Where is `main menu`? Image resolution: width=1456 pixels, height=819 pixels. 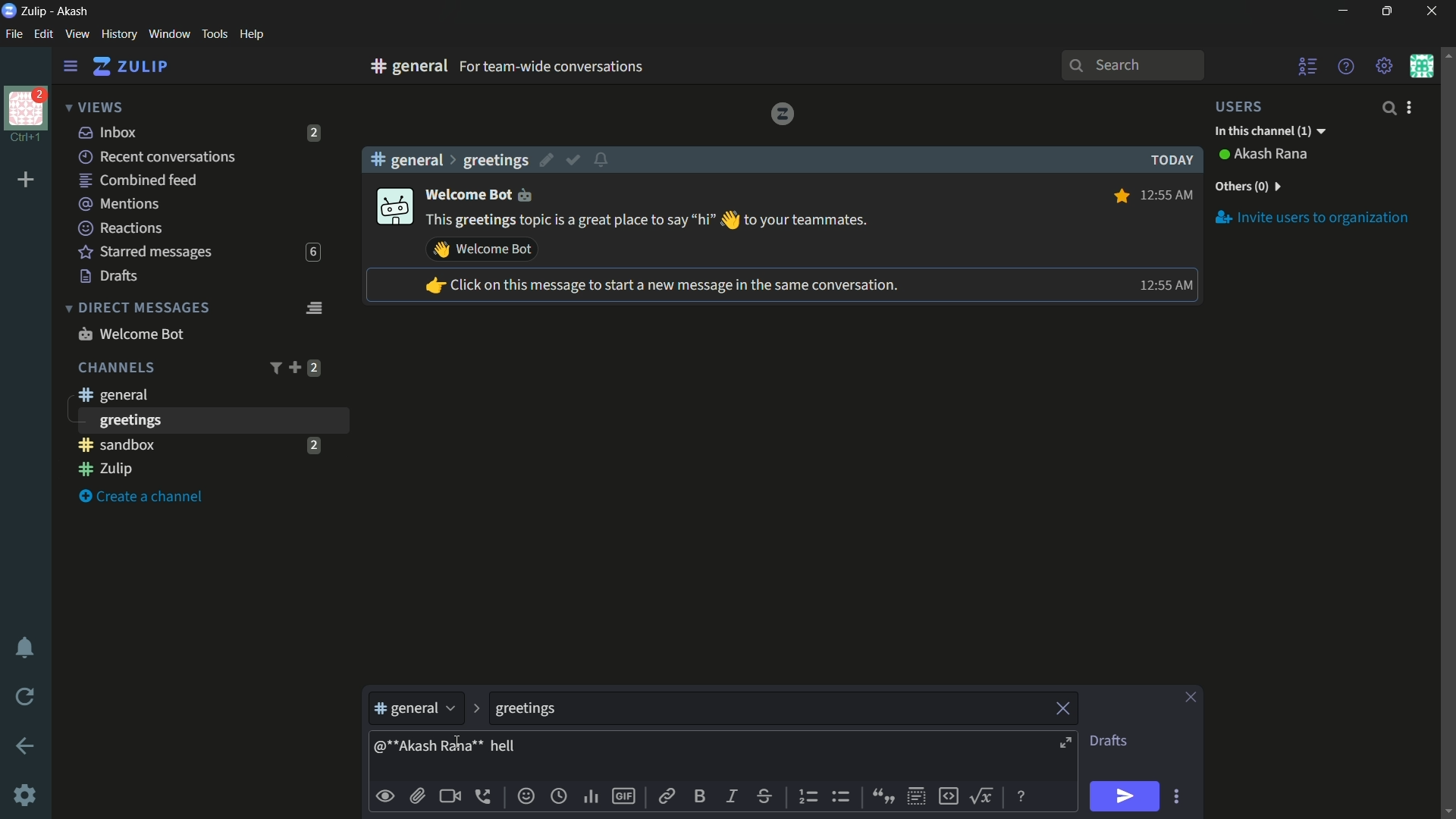 main menu is located at coordinates (1385, 66).